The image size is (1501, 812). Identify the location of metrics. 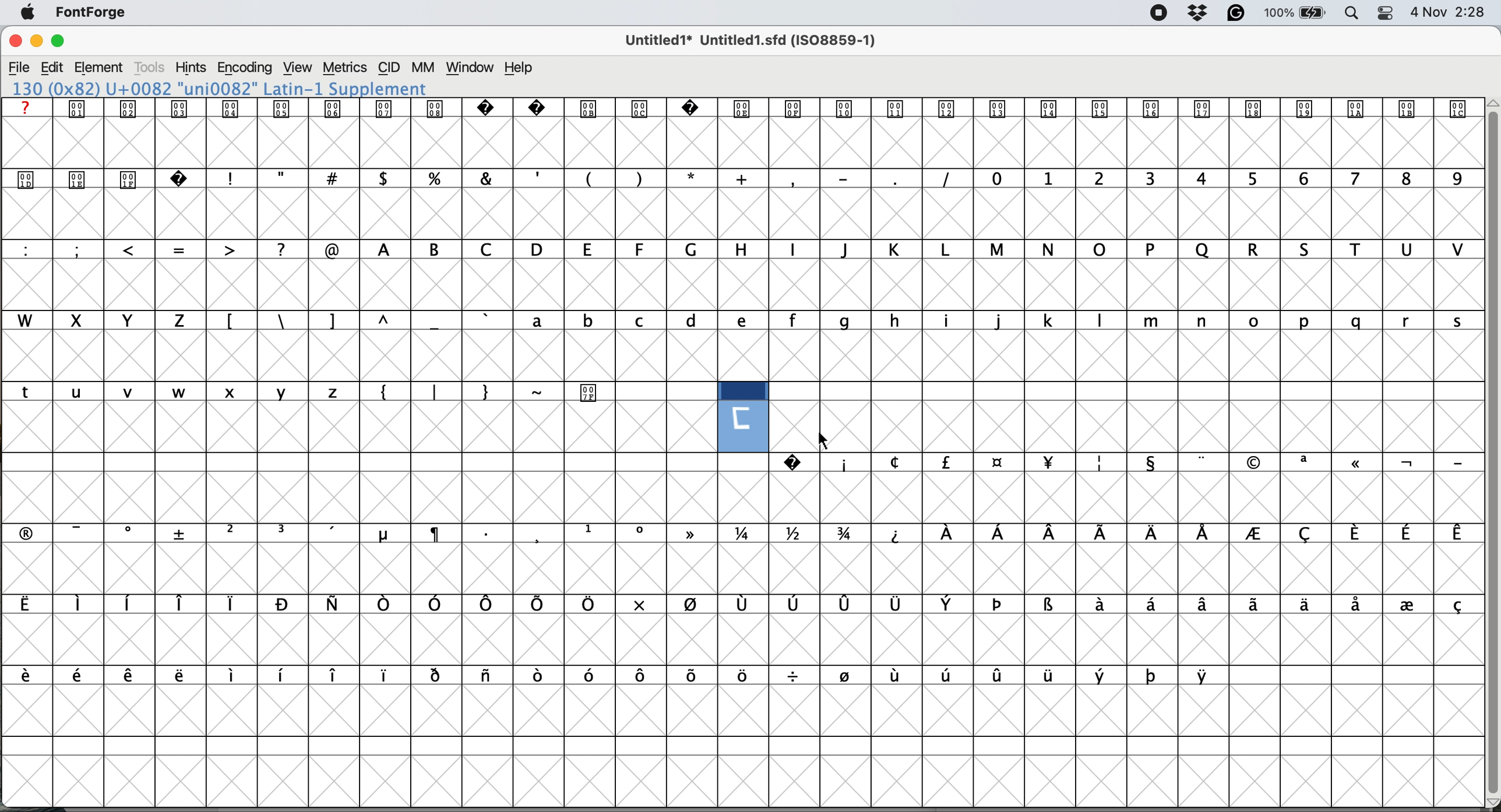
(344, 68).